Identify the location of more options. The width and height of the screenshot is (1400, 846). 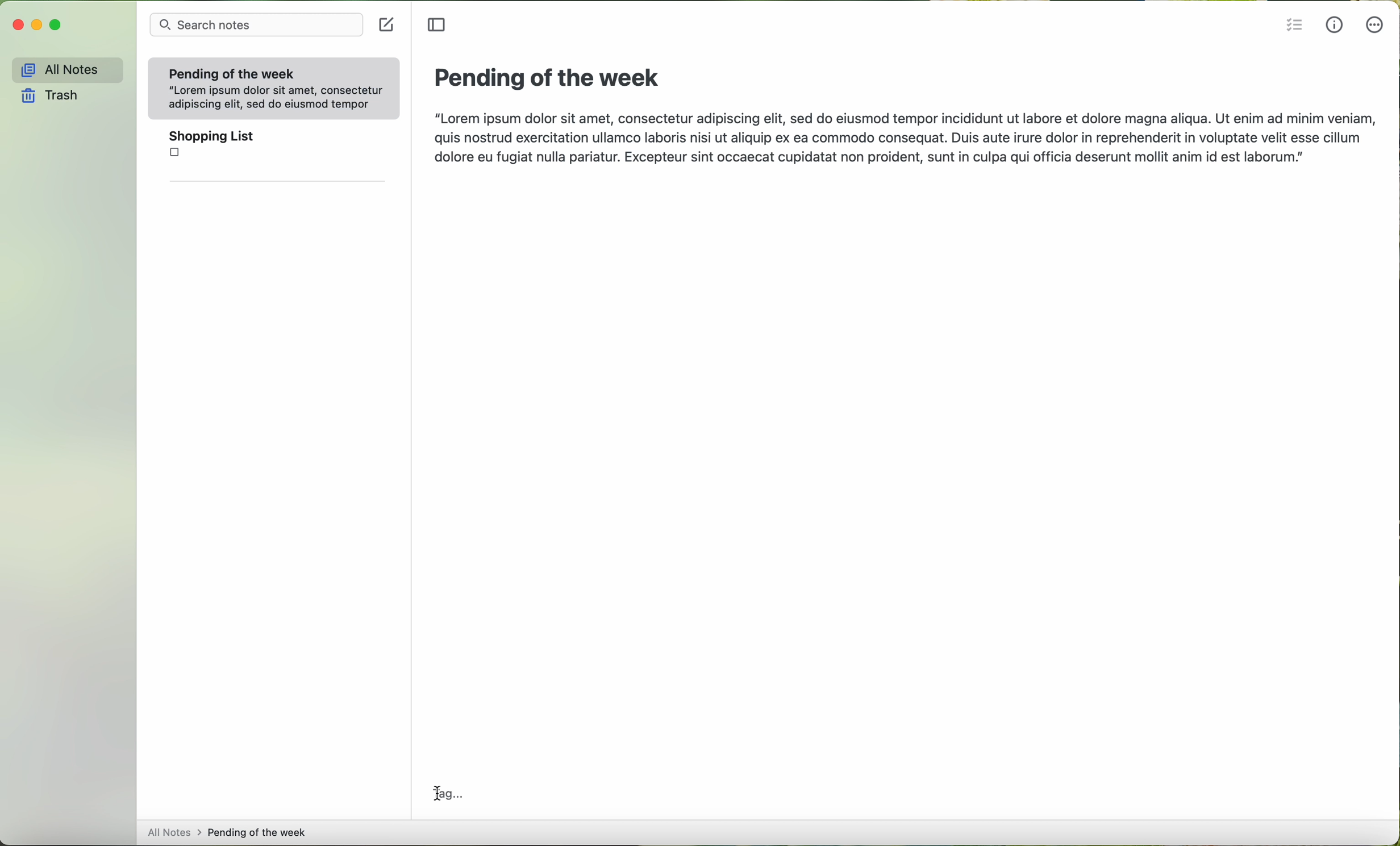
(1374, 28).